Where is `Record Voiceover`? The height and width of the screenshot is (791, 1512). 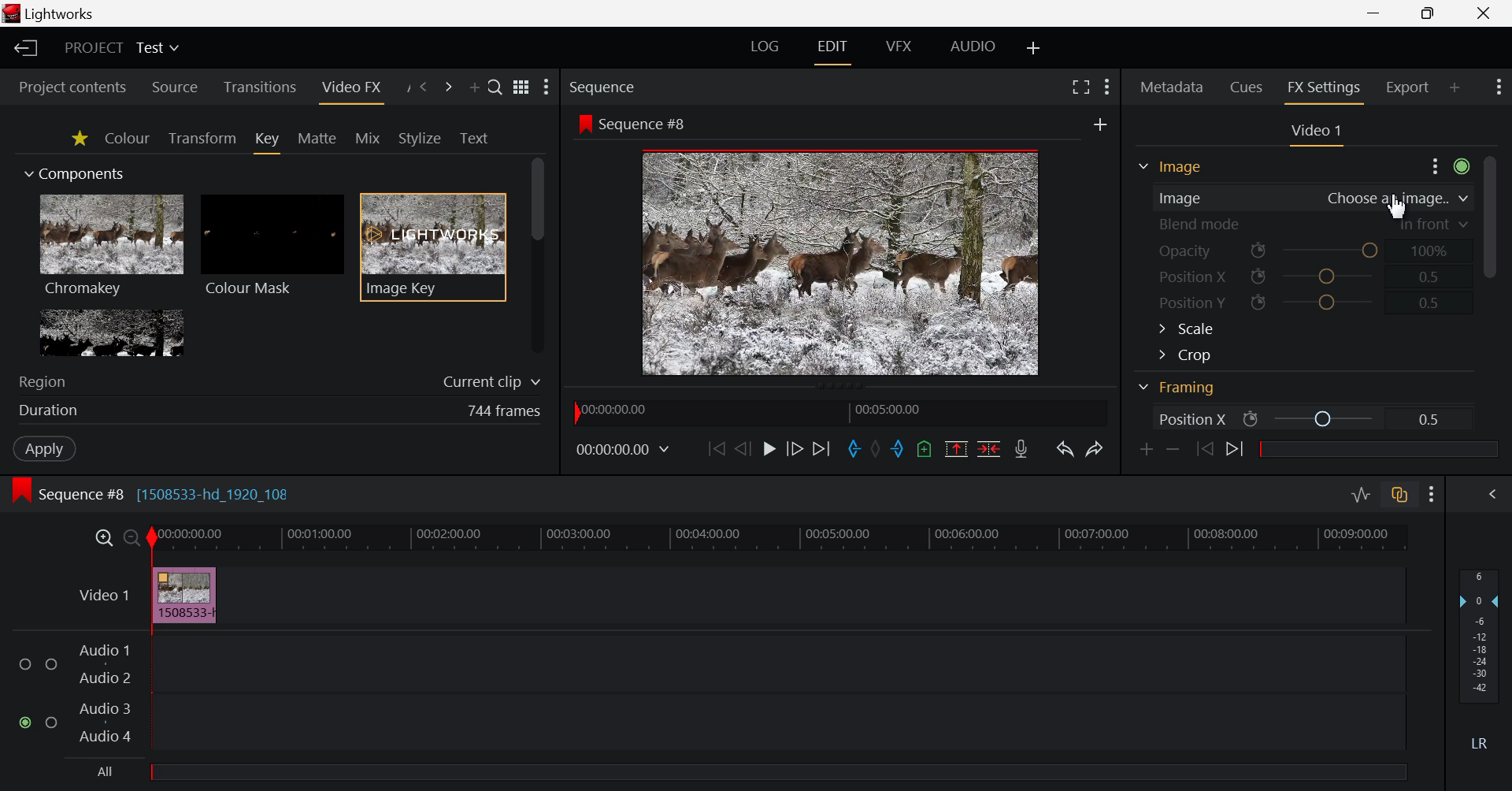
Record Voiceover is located at coordinates (1025, 451).